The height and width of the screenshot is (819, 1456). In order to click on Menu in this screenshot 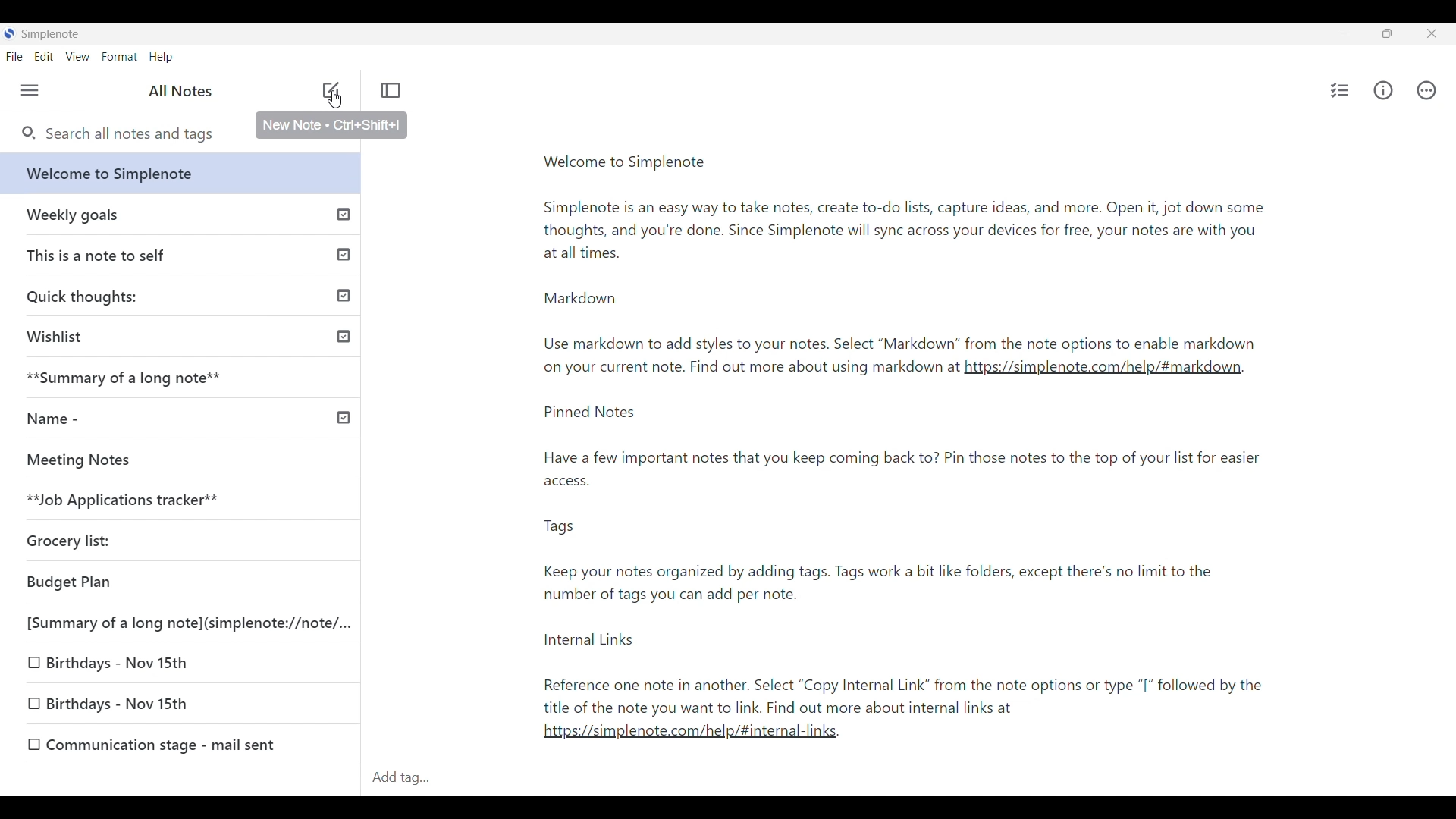, I will do `click(30, 90)`.